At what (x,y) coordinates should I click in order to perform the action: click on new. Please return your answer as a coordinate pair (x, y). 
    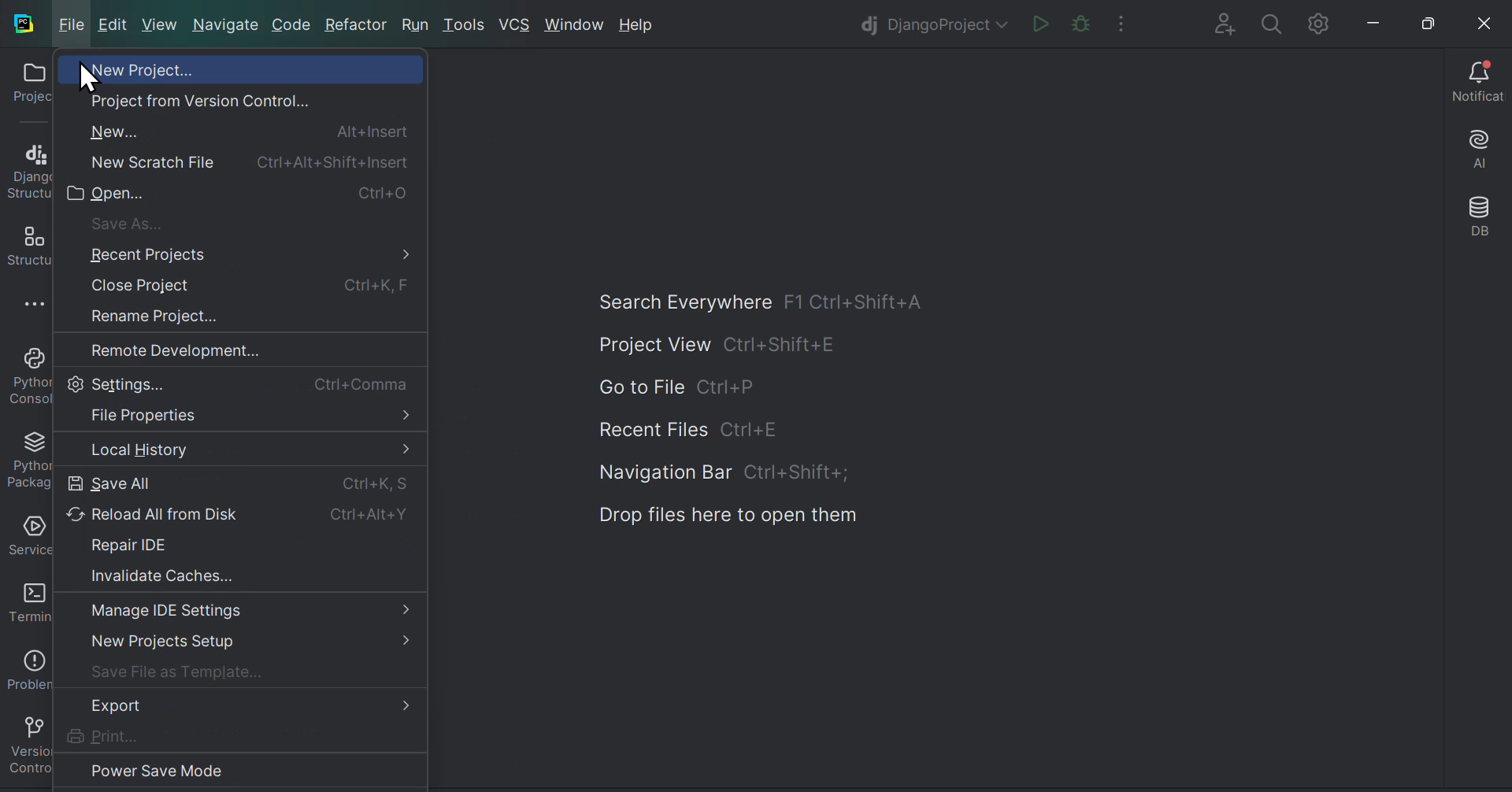
    Looking at the image, I should click on (245, 133).